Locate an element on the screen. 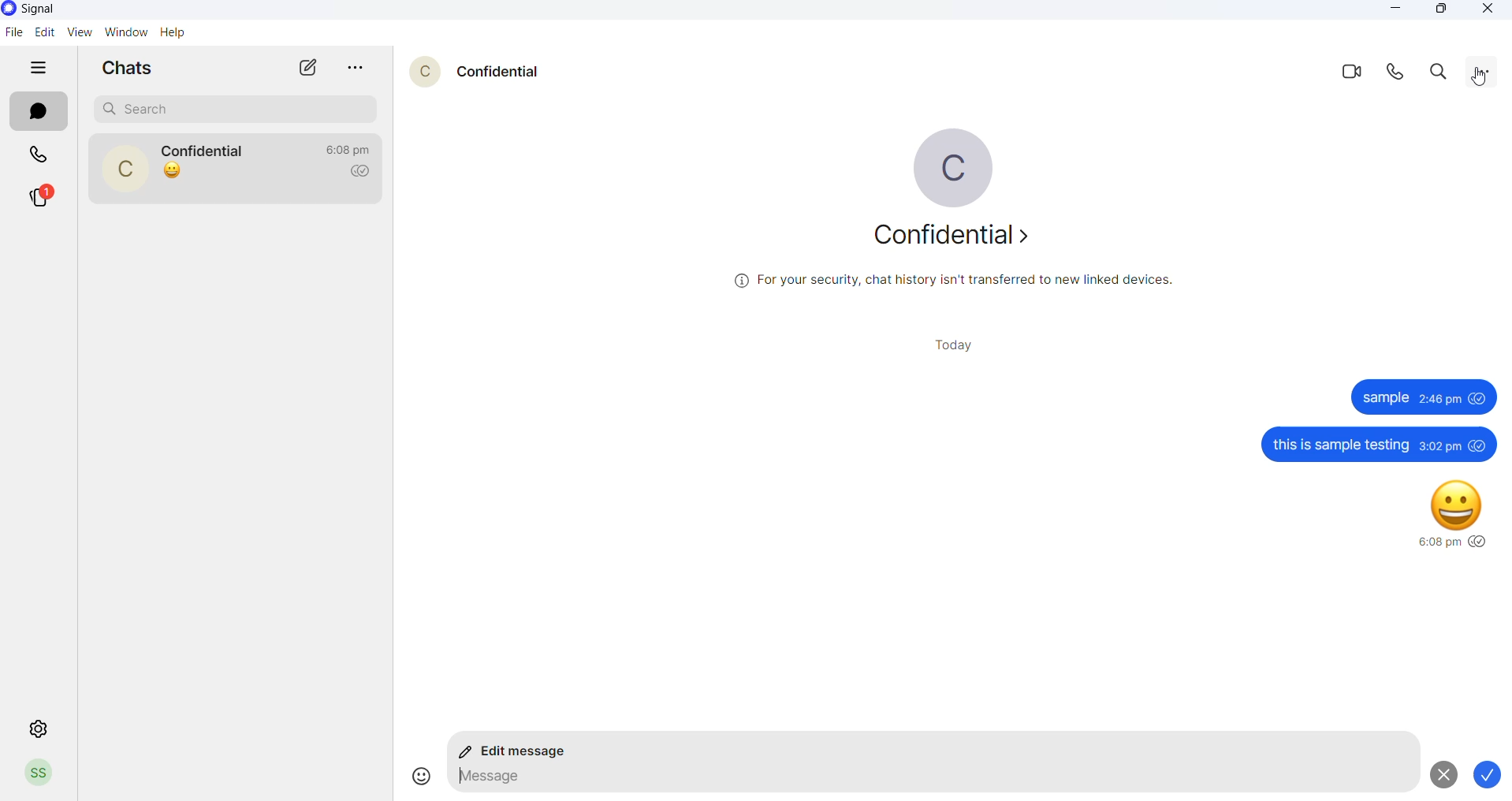 Image resolution: width=1512 pixels, height=801 pixels. search in chats is located at coordinates (1439, 74).